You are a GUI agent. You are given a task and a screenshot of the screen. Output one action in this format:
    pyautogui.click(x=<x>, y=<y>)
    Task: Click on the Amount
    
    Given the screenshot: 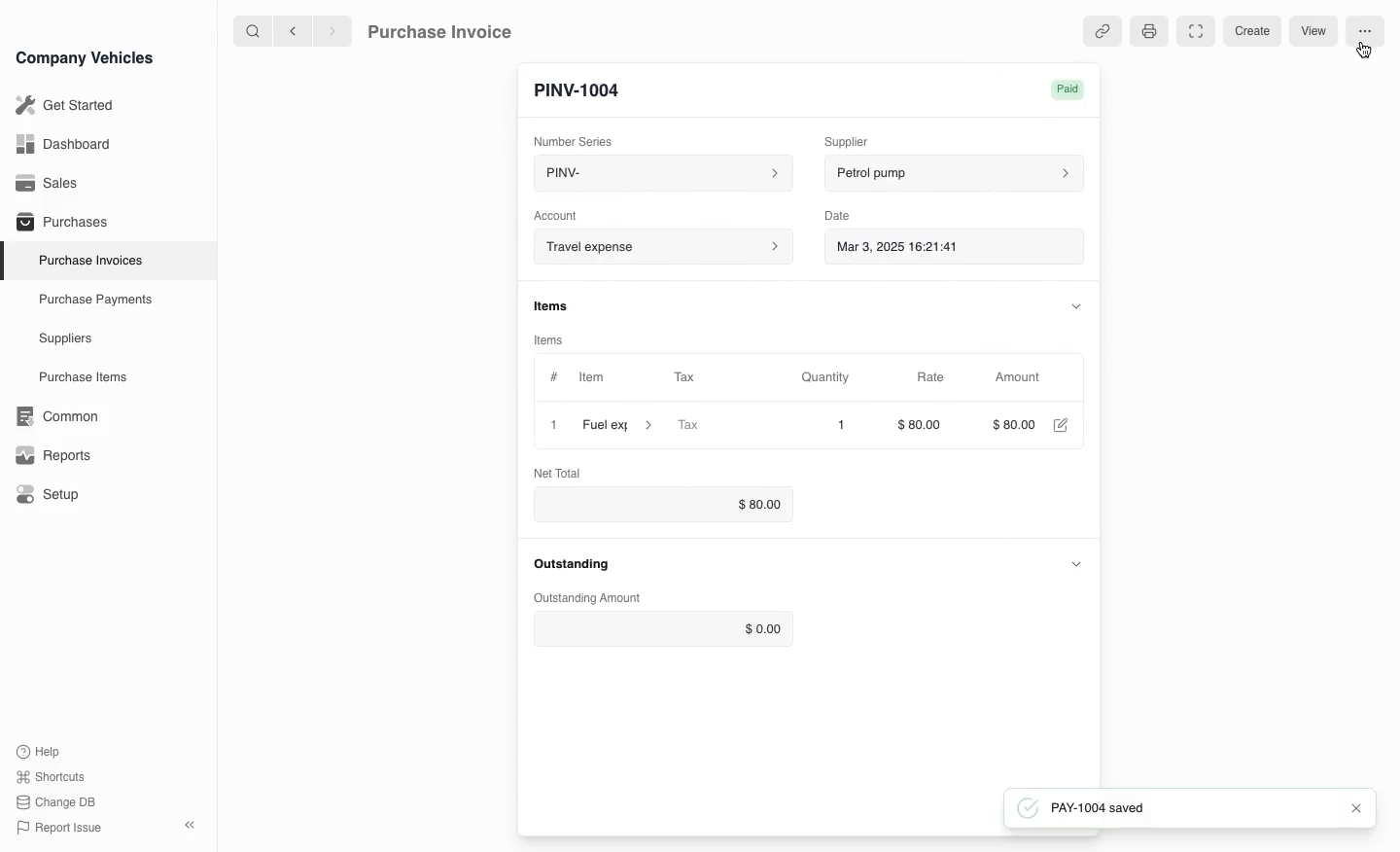 What is the action you would take?
    pyautogui.click(x=1019, y=376)
    